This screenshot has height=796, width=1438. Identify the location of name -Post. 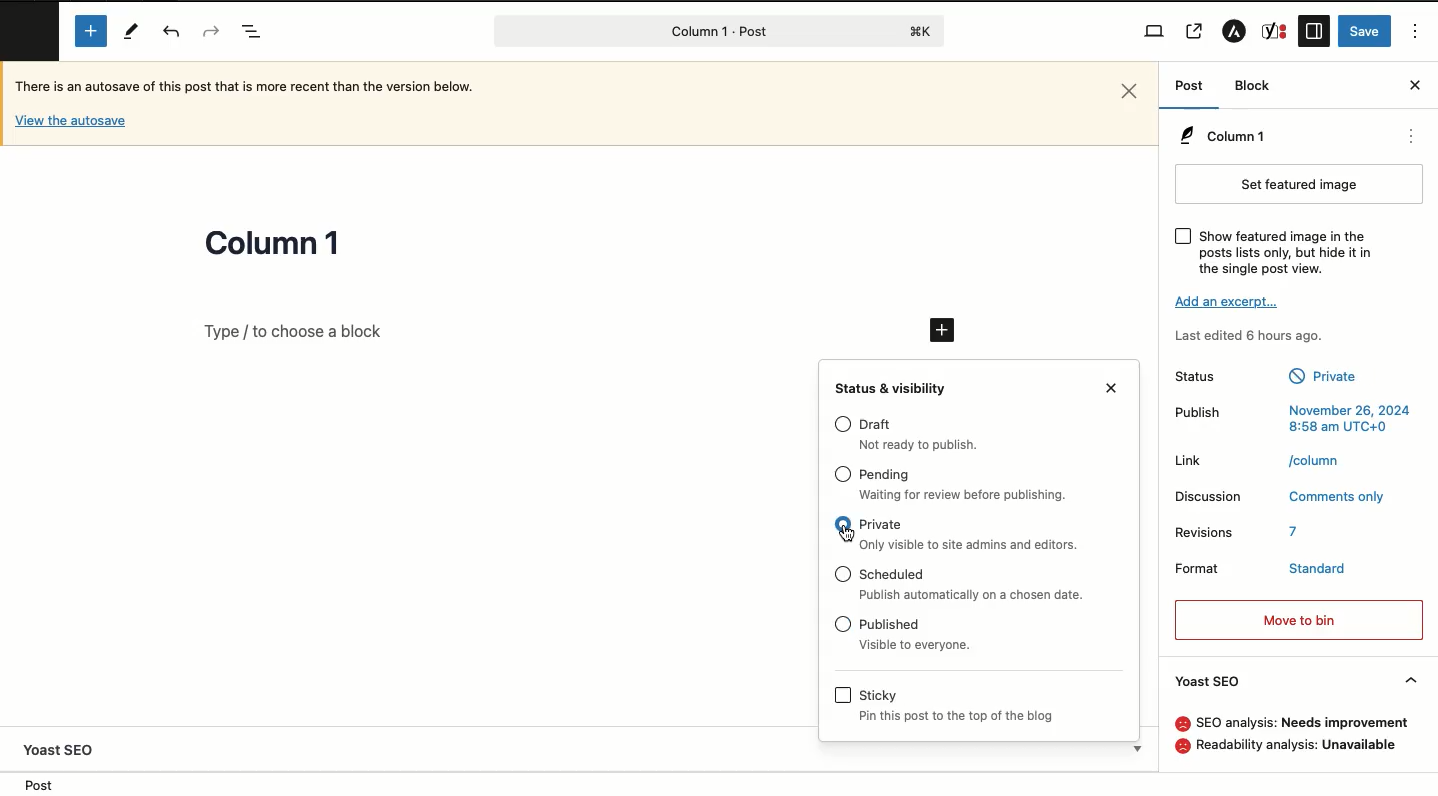
(684, 33).